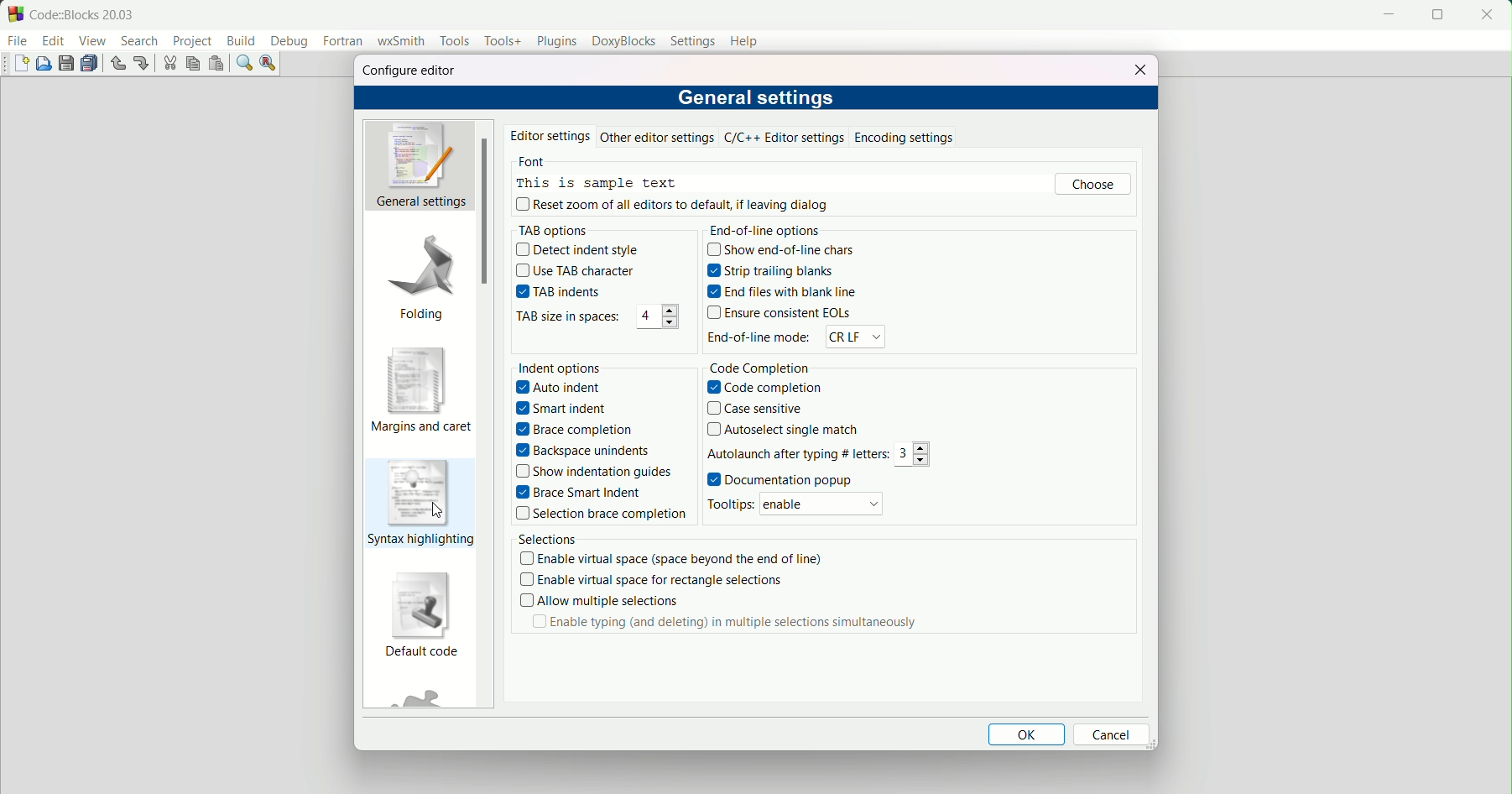 This screenshot has height=794, width=1512. Describe the element at coordinates (769, 230) in the screenshot. I see `end of line` at that location.